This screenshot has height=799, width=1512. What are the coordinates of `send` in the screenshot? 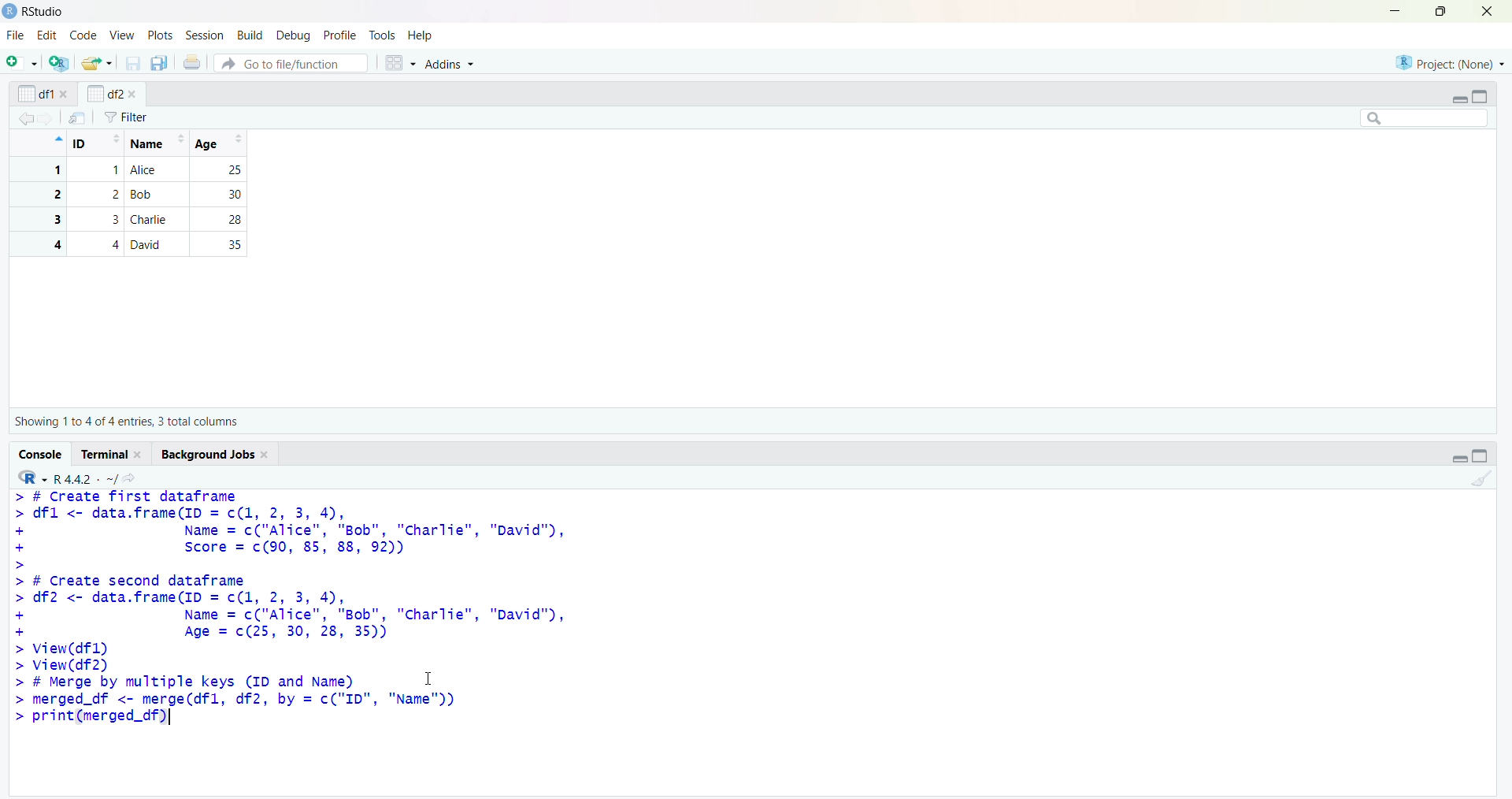 It's located at (78, 117).